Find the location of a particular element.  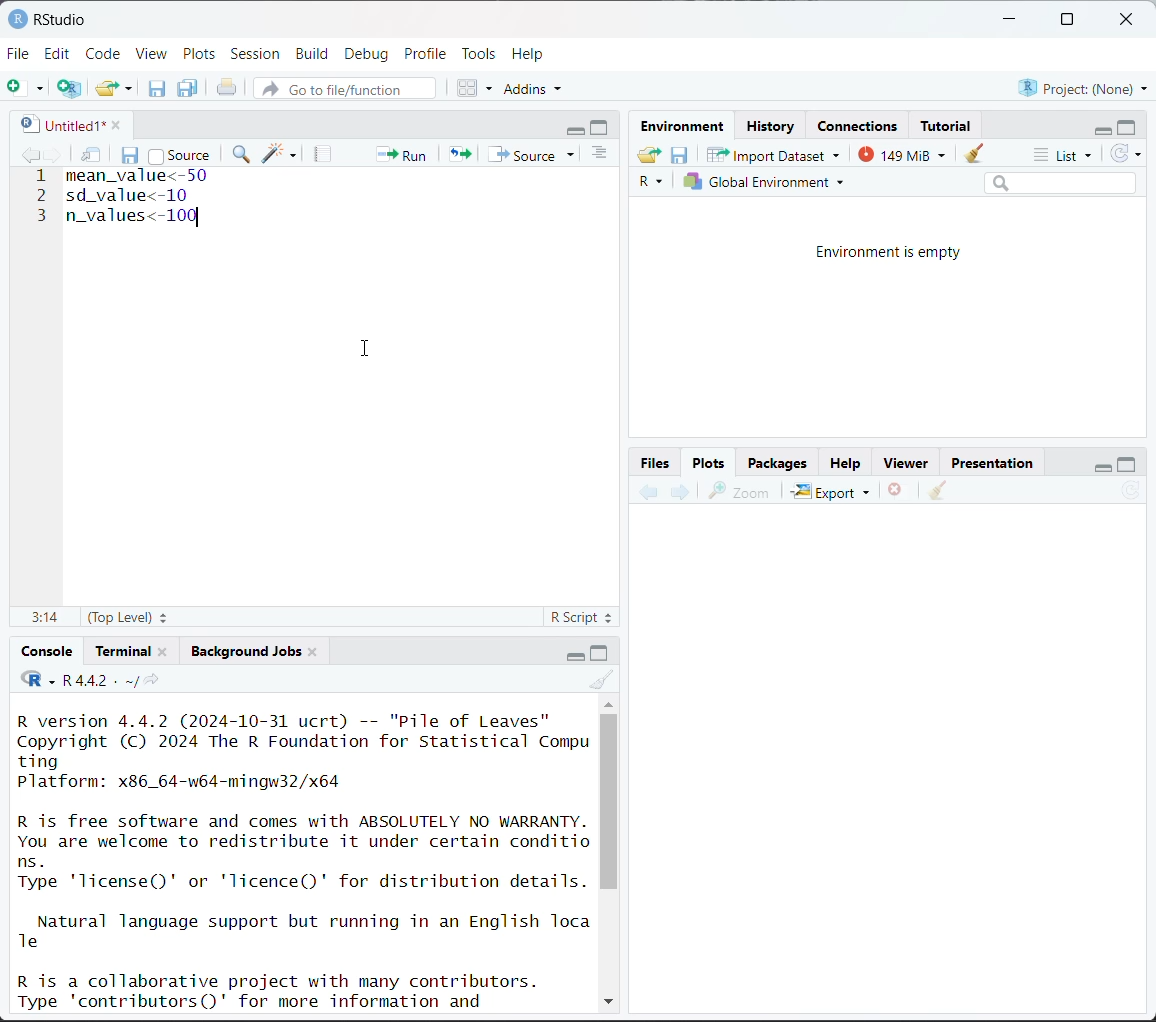

Packages is located at coordinates (777, 462).